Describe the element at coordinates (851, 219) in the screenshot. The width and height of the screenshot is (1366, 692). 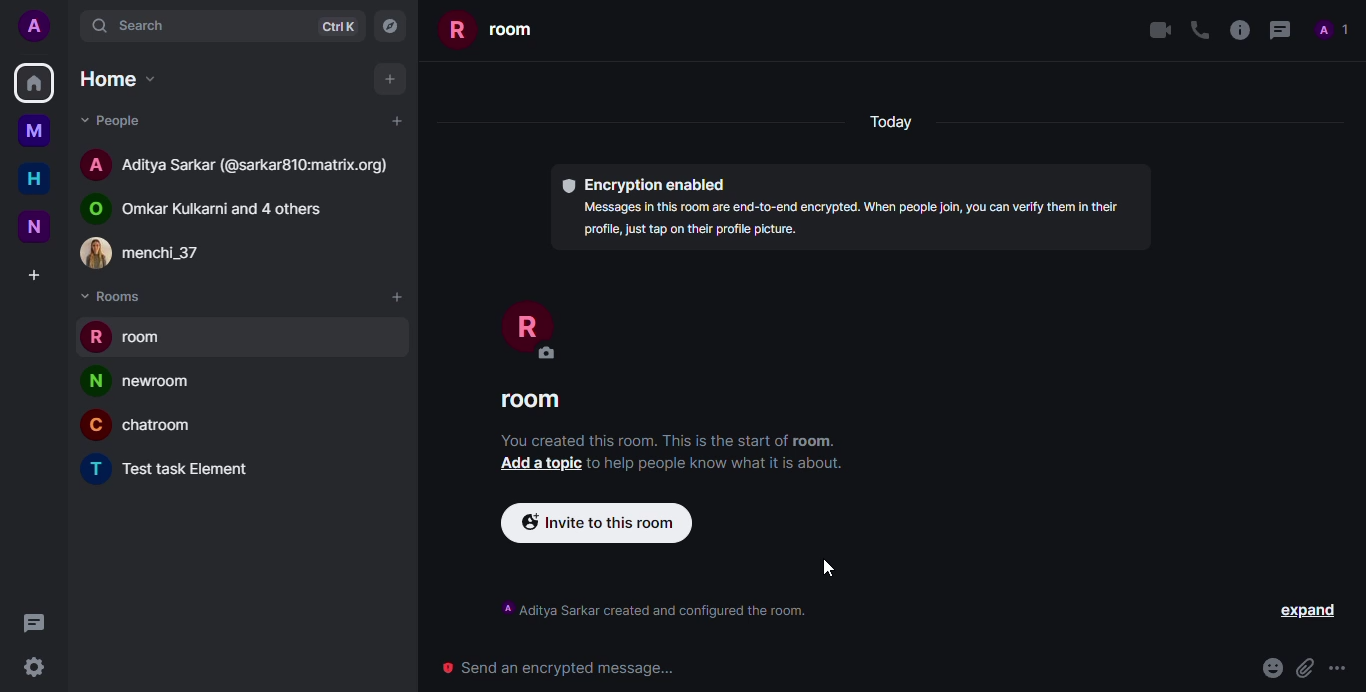
I see `Messages in this room are end-to-end encrypted. When people join, you can verify them in their
profile, just tap on their profil picture.` at that location.